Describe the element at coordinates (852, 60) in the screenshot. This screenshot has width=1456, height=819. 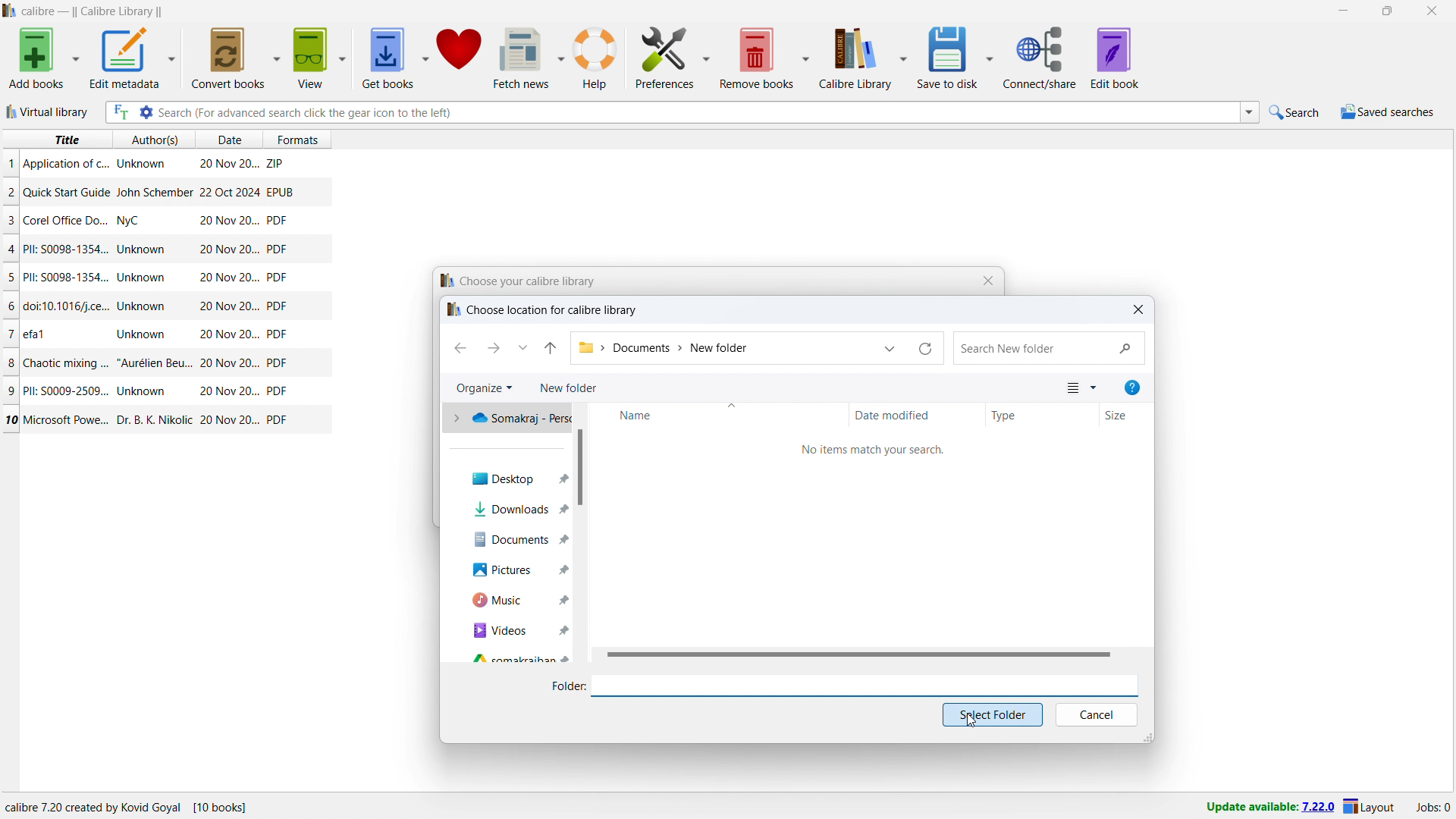
I see `calibre library` at that location.